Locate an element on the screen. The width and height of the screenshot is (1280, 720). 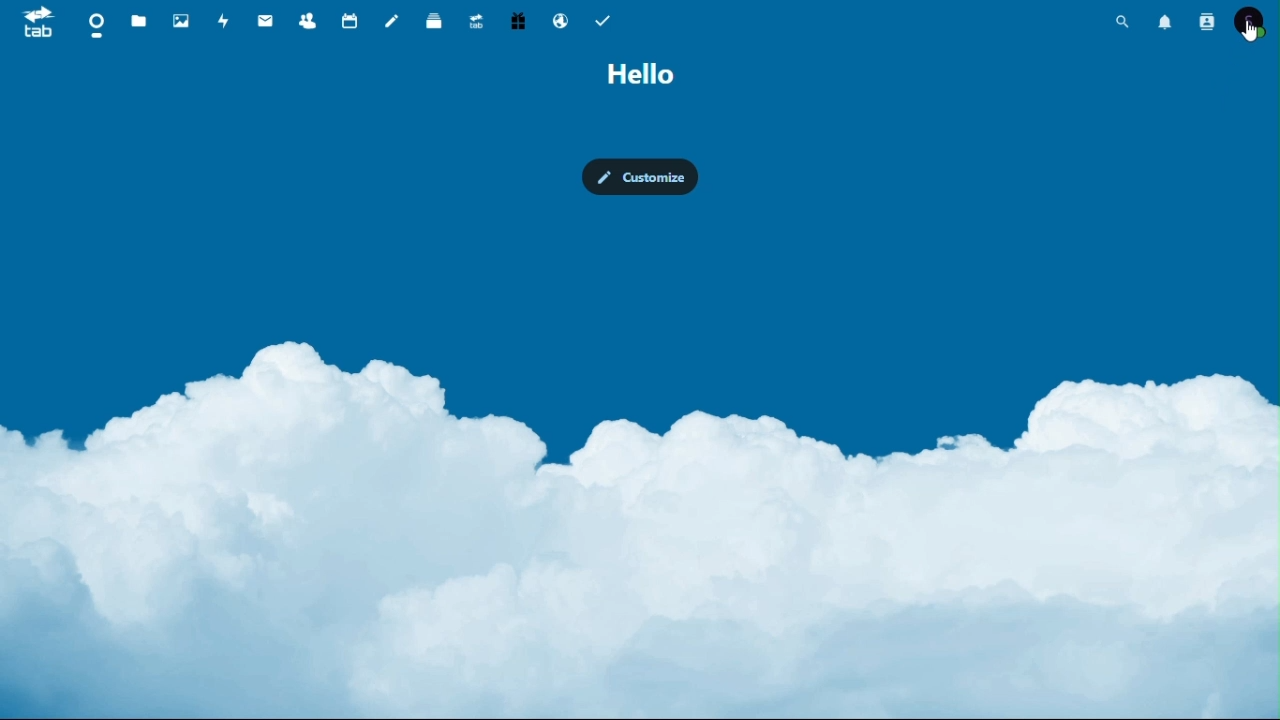
Notes is located at coordinates (393, 18).